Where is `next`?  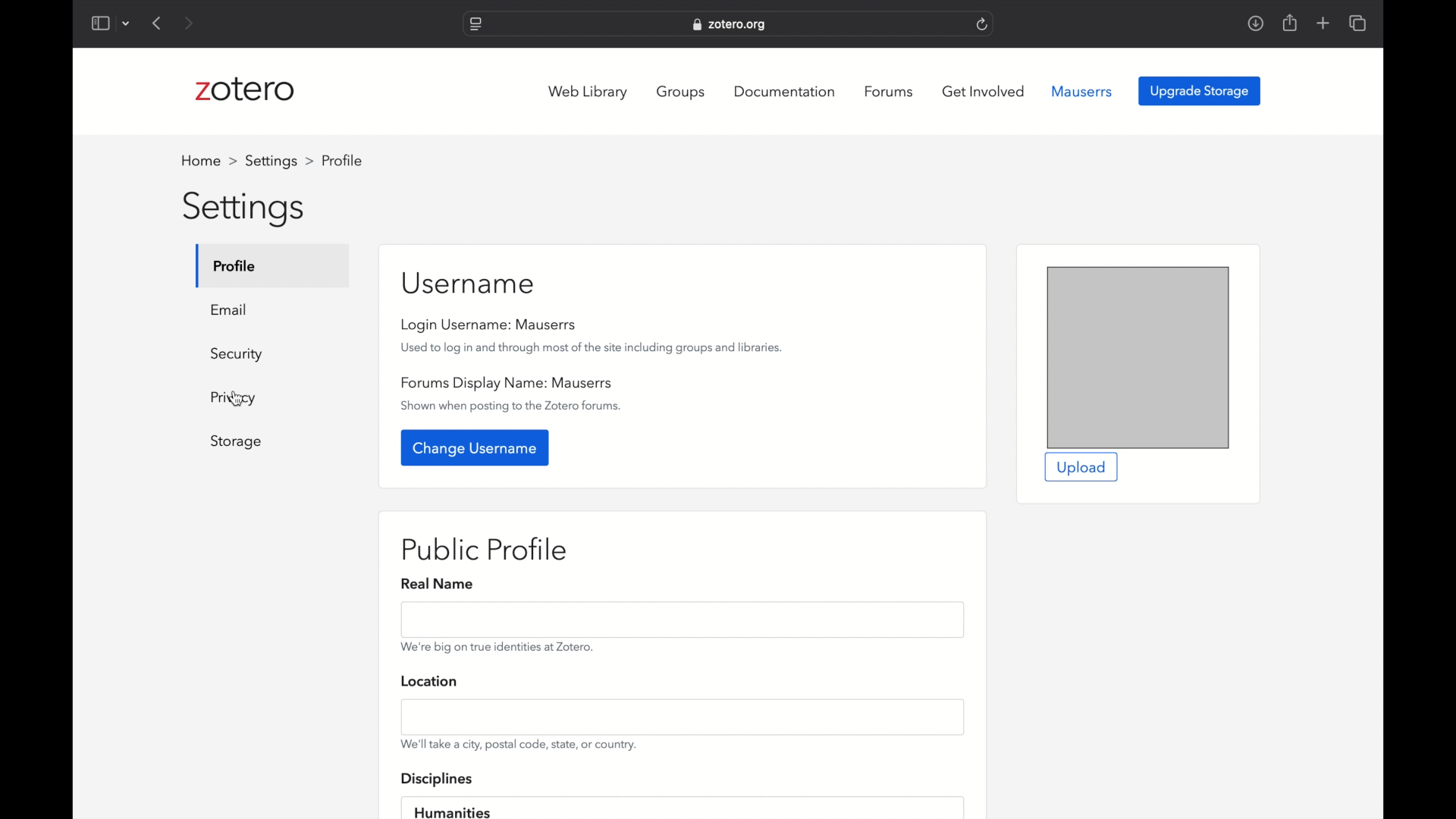 next is located at coordinates (187, 23).